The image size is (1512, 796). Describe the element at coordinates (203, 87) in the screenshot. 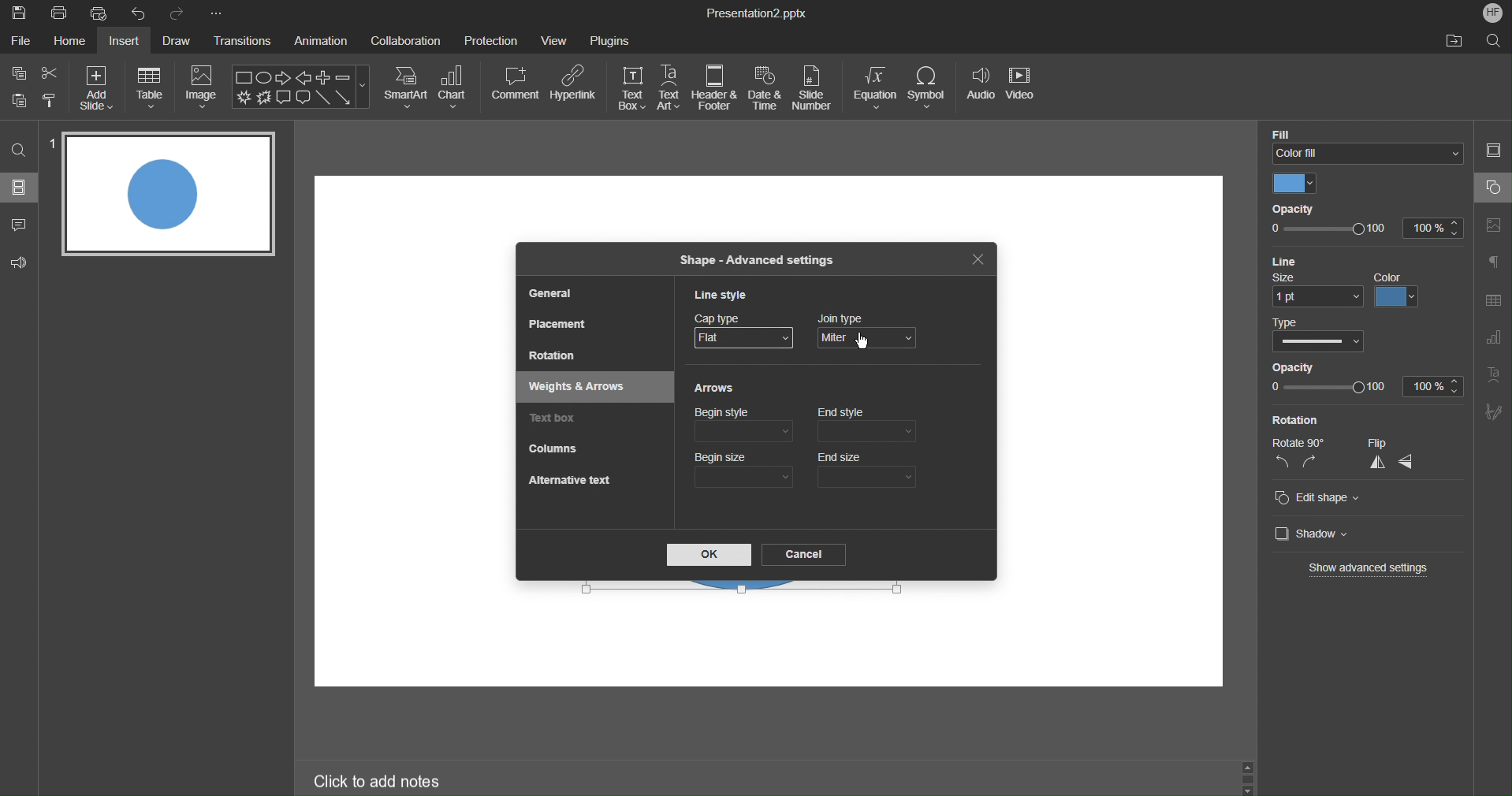

I see `Image` at that location.